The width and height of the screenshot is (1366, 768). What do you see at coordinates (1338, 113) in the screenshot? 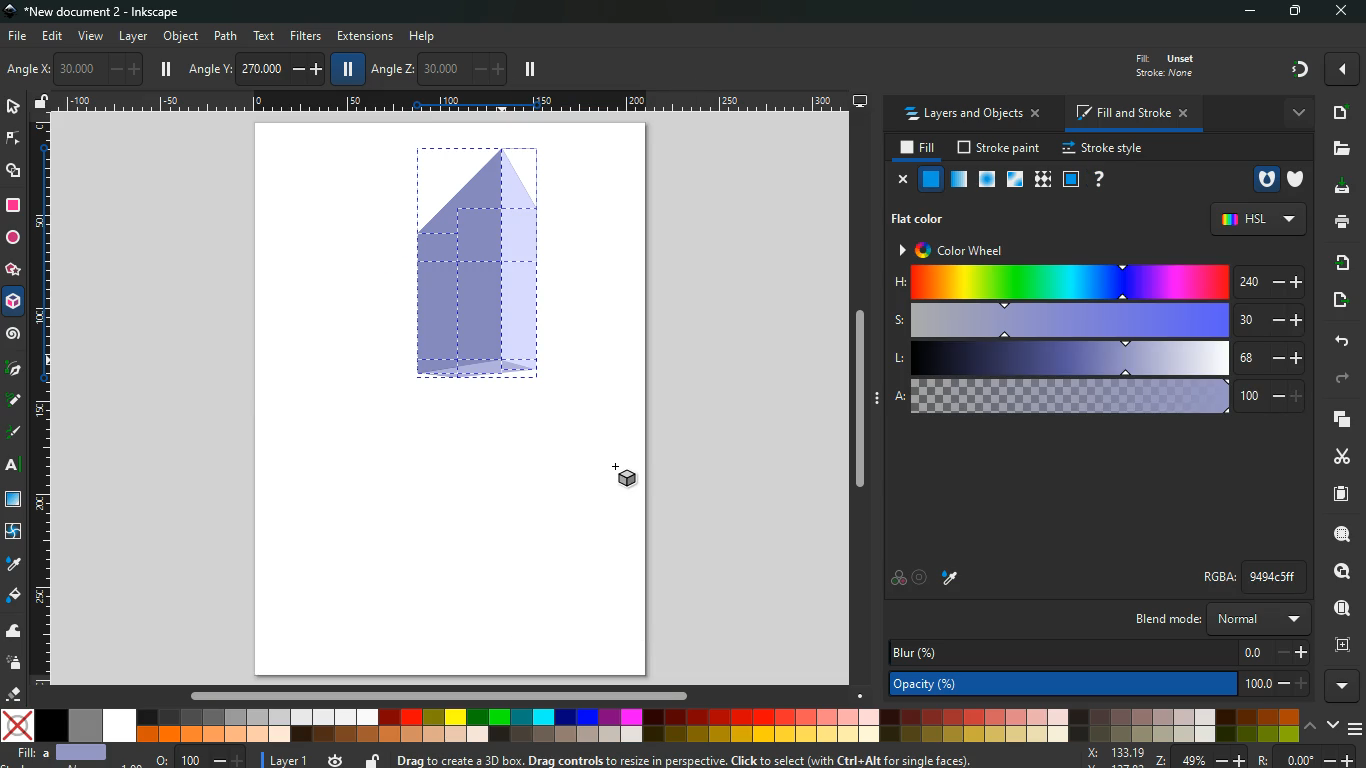
I see `new` at bounding box center [1338, 113].